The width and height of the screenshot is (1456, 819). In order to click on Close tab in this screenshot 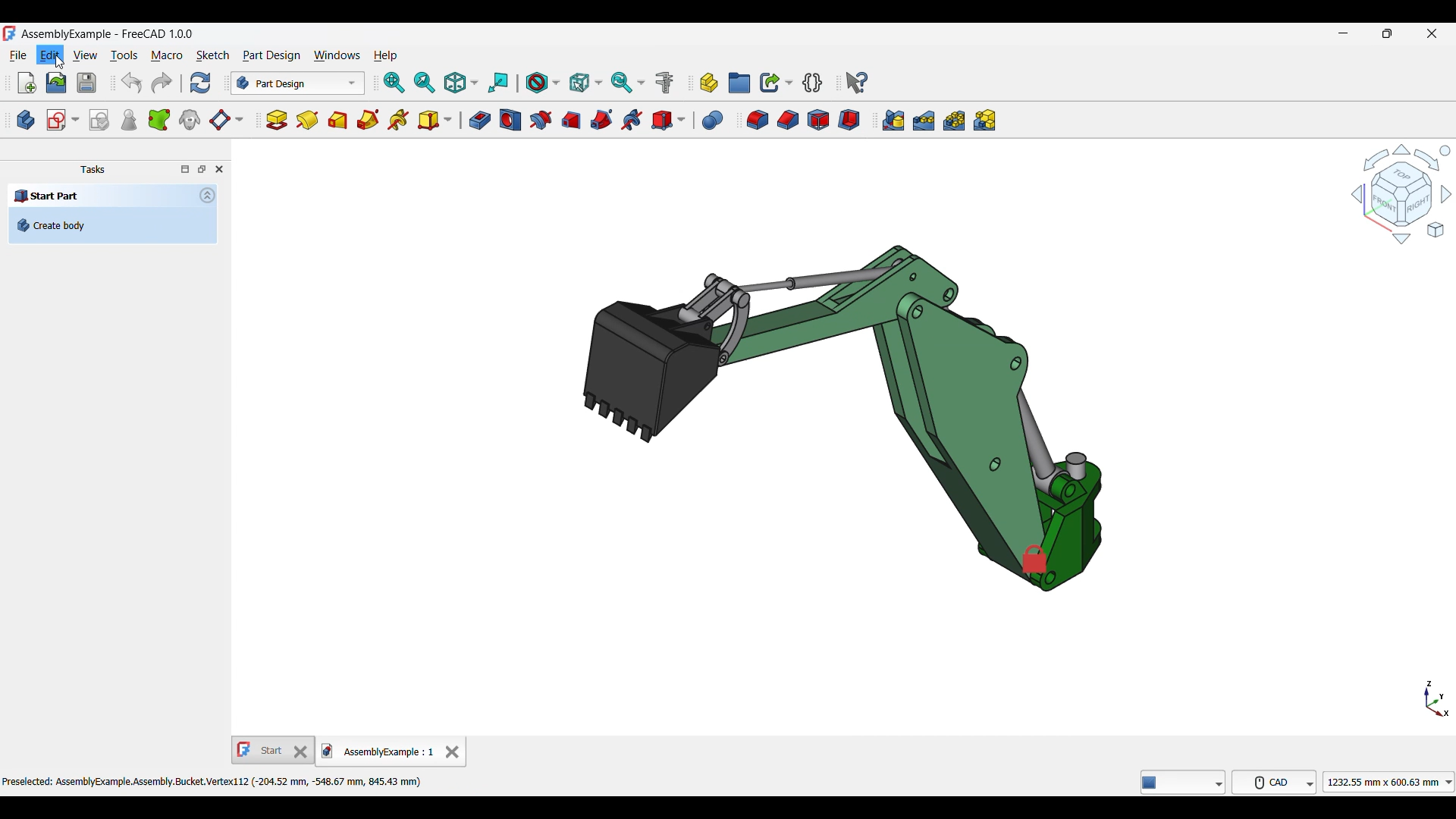, I will do `click(452, 752)`.